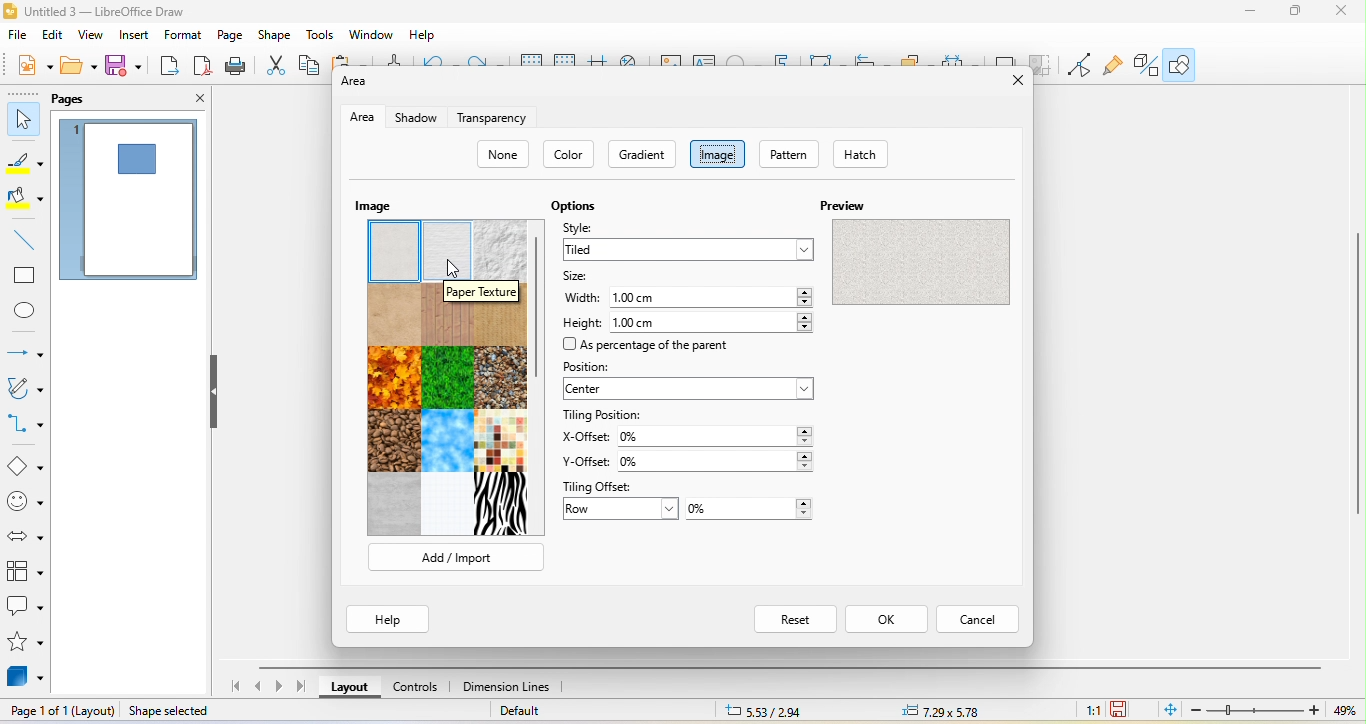  What do you see at coordinates (24, 241) in the screenshot?
I see `line` at bounding box center [24, 241].